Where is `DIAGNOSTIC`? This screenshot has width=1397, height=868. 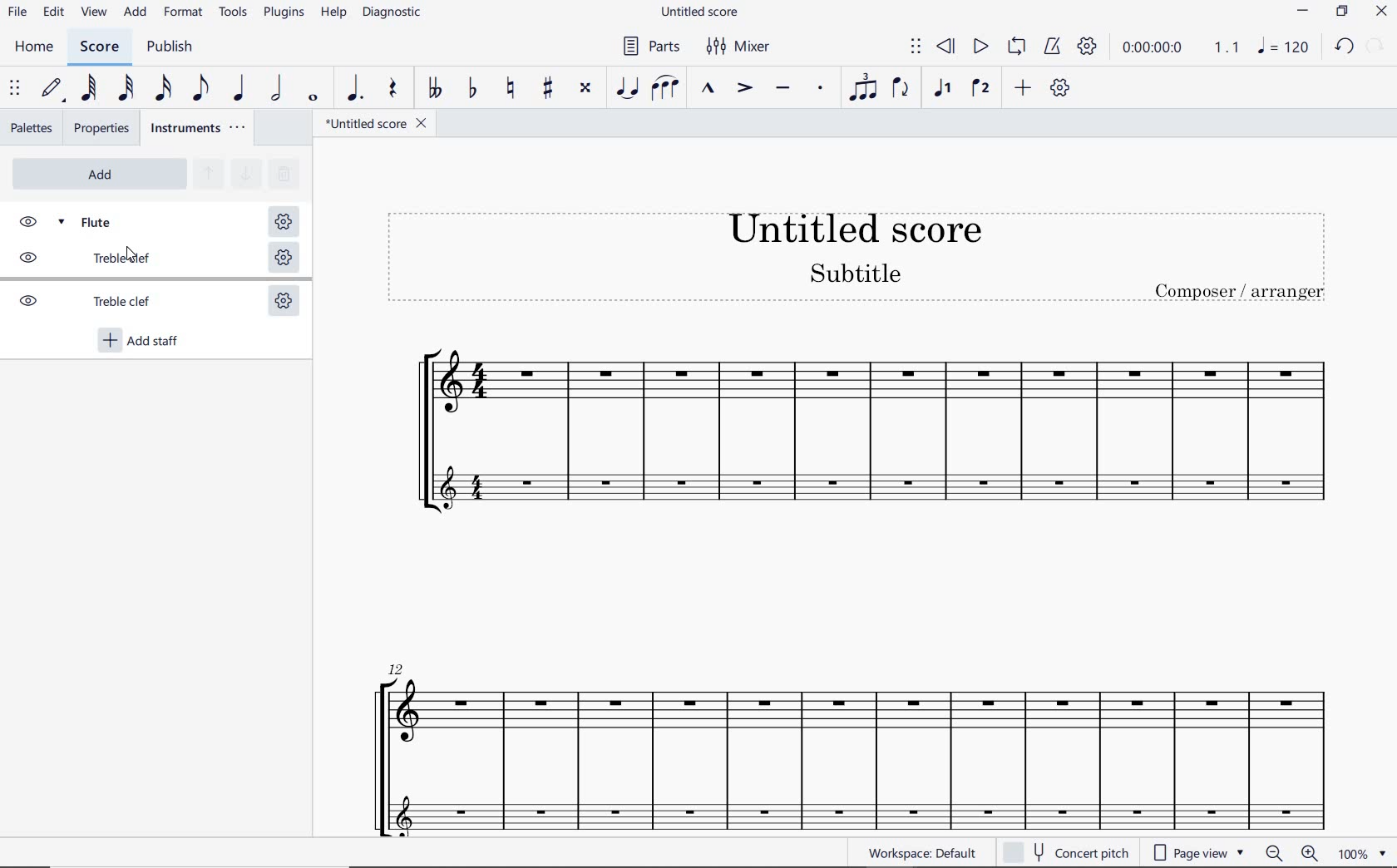
DIAGNOSTIC is located at coordinates (393, 13).